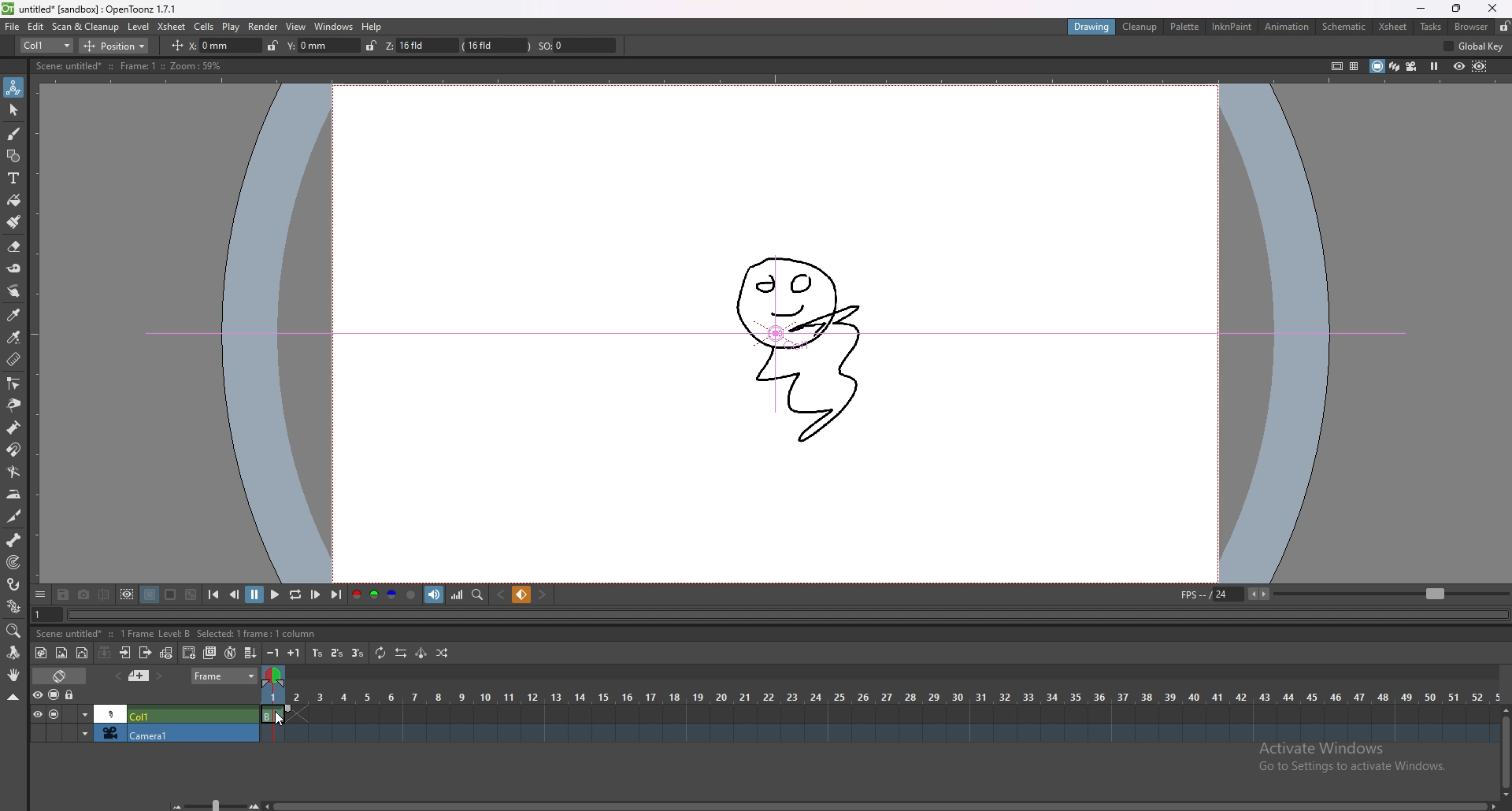 This screenshot has height=811, width=1512. Describe the element at coordinates (1185, 26) in the screenshot. I see `palette` at that location.